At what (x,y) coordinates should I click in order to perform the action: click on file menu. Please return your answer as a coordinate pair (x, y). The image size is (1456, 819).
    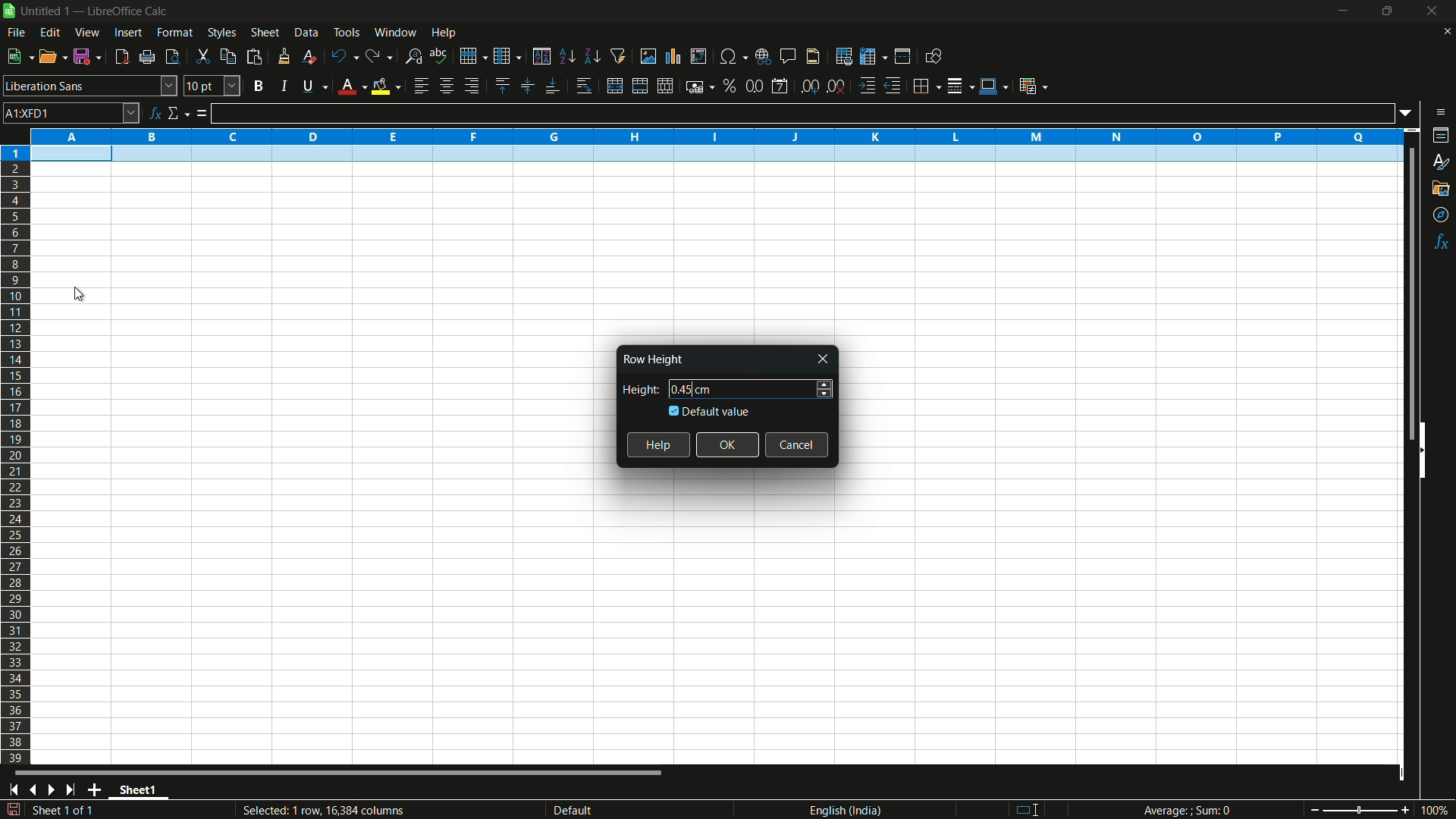
    Looking at the image, I should click on (16, 33).